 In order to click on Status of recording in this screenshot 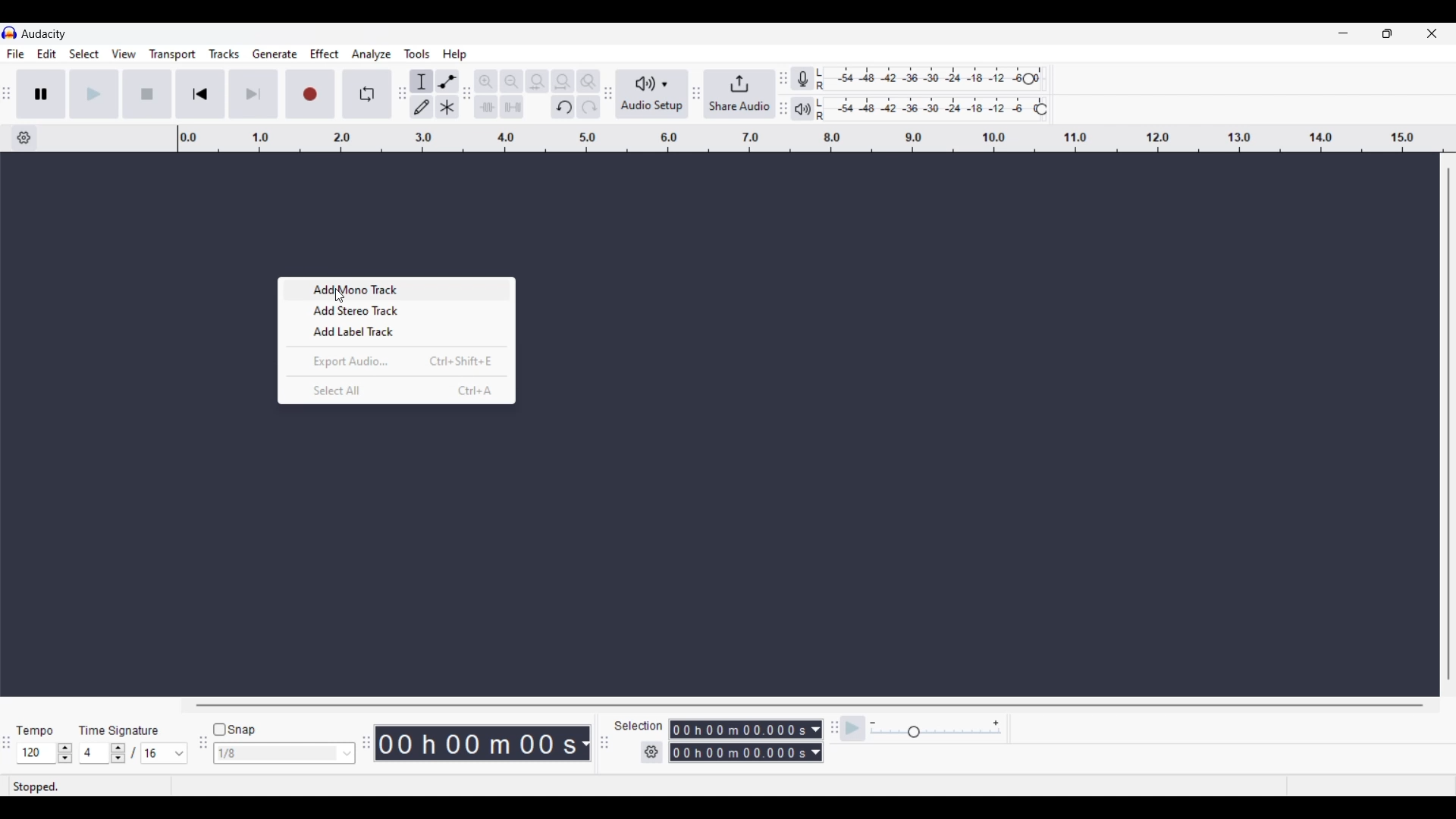, I will do `click(89, 786)`.